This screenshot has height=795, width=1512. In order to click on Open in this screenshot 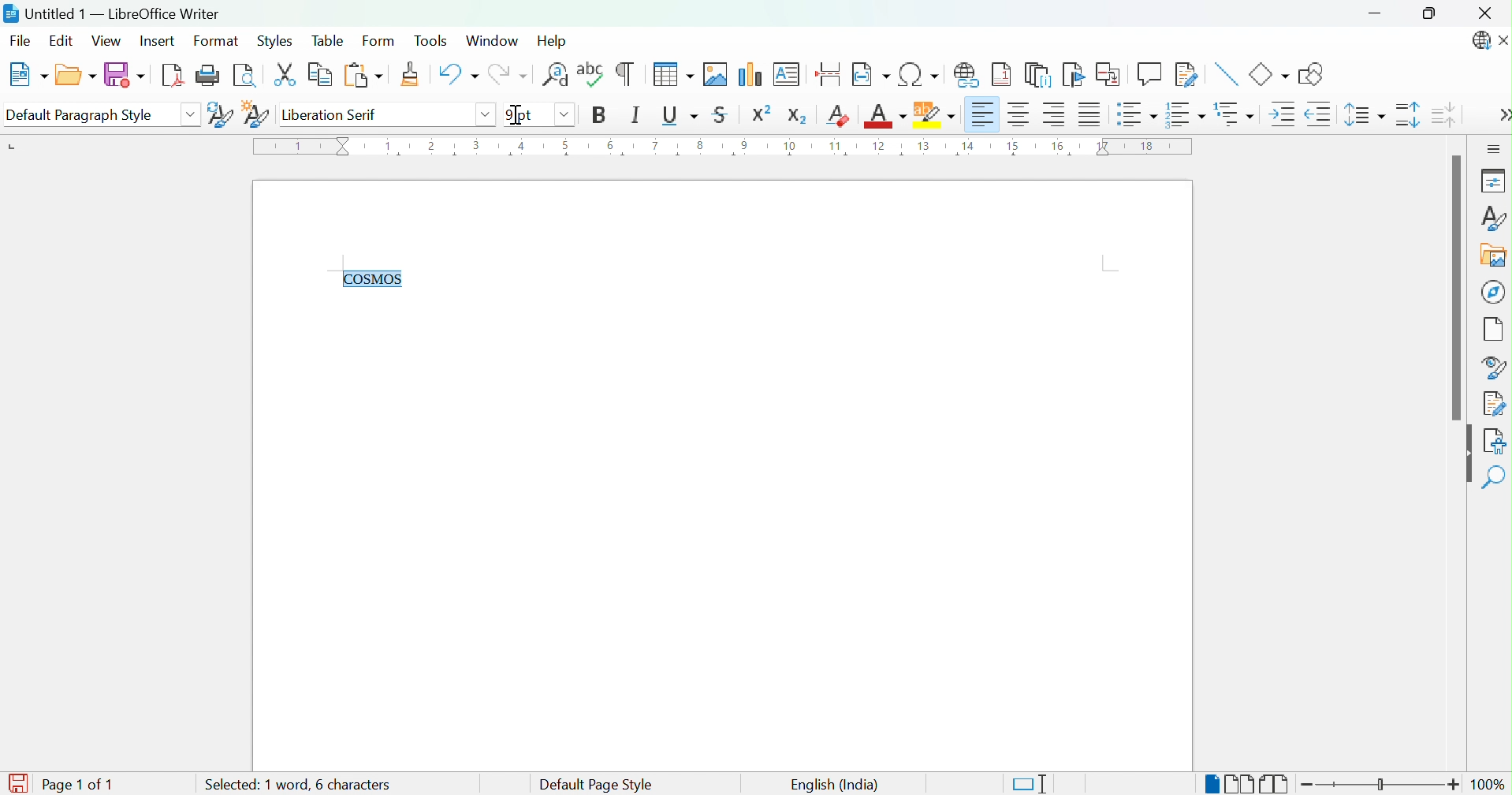, I will do `click(75, 76)`.